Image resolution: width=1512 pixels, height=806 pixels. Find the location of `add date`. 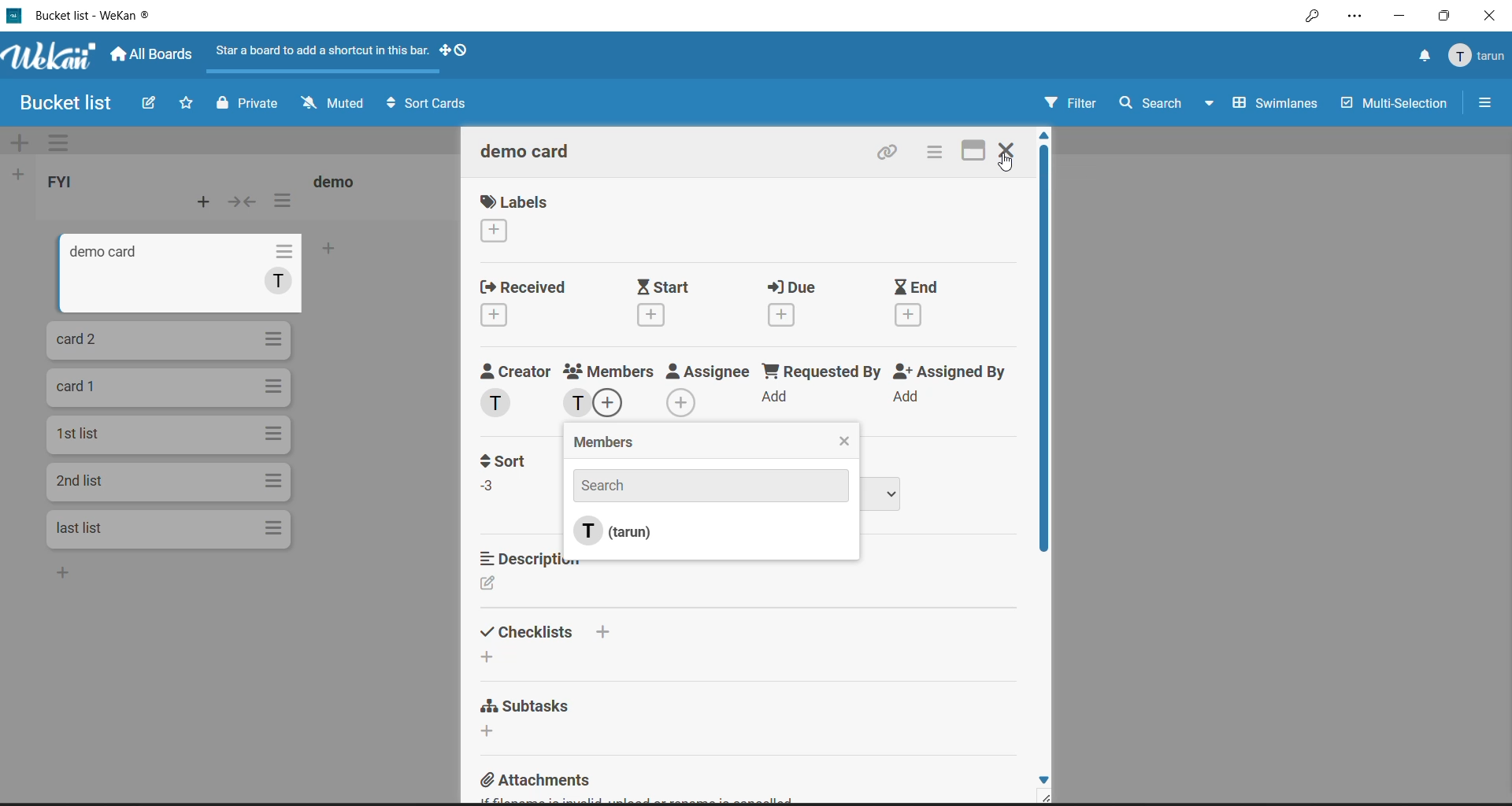

add date is located at coordinates (909, 314).